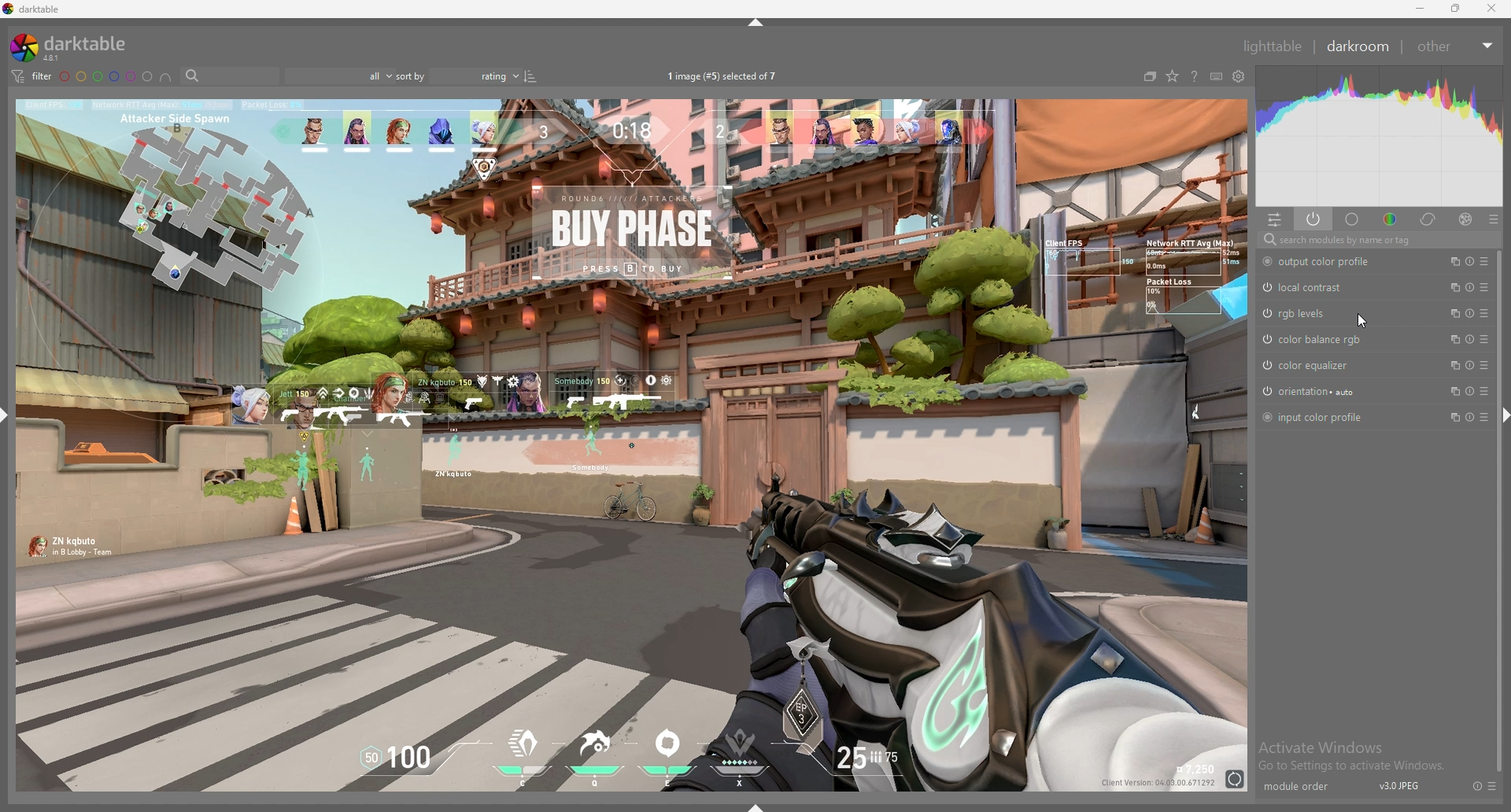 This screenshot has height=812, width=1511. What do you see at coordinates (1485, 286) in the screenshot?
I see `presets` at bounding box center [1485, 286].